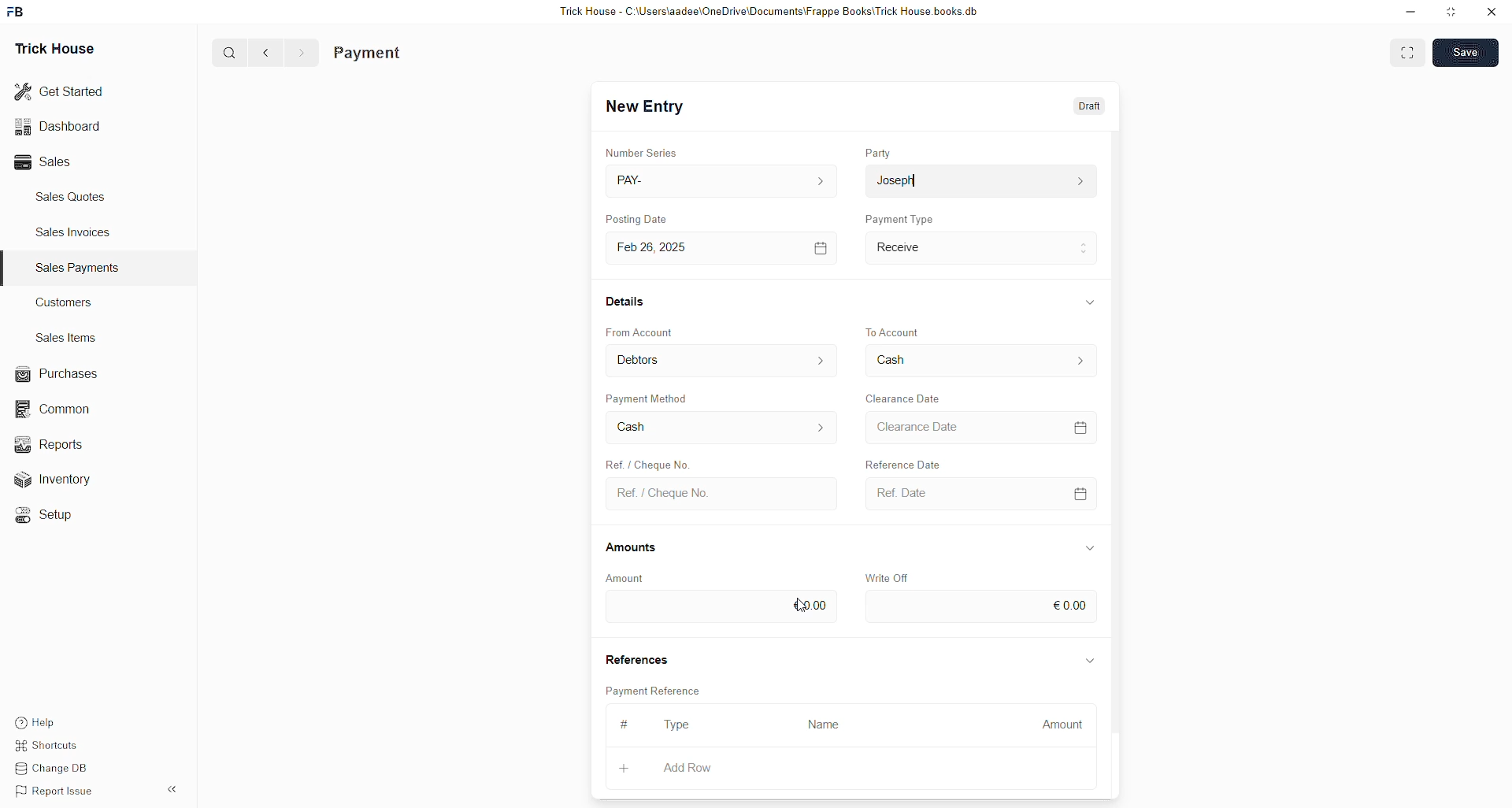 The height and width of the screenshot is (808, 1512). What do you see at coordinates (266, 54) in the screenshot?
I see `Back` at bounding box center [266, 54].